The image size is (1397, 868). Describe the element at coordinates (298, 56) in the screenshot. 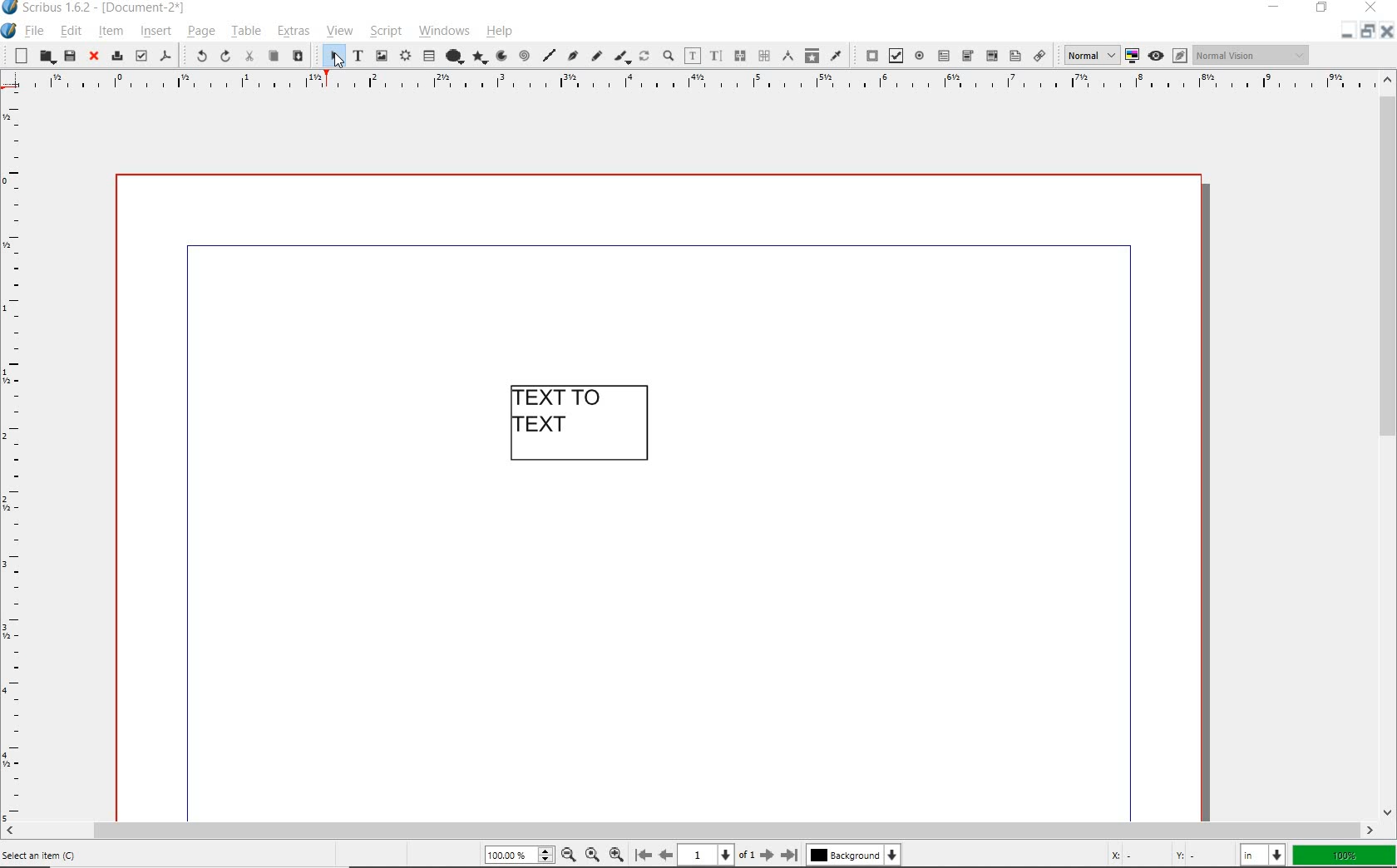

I see `paste` at that location.